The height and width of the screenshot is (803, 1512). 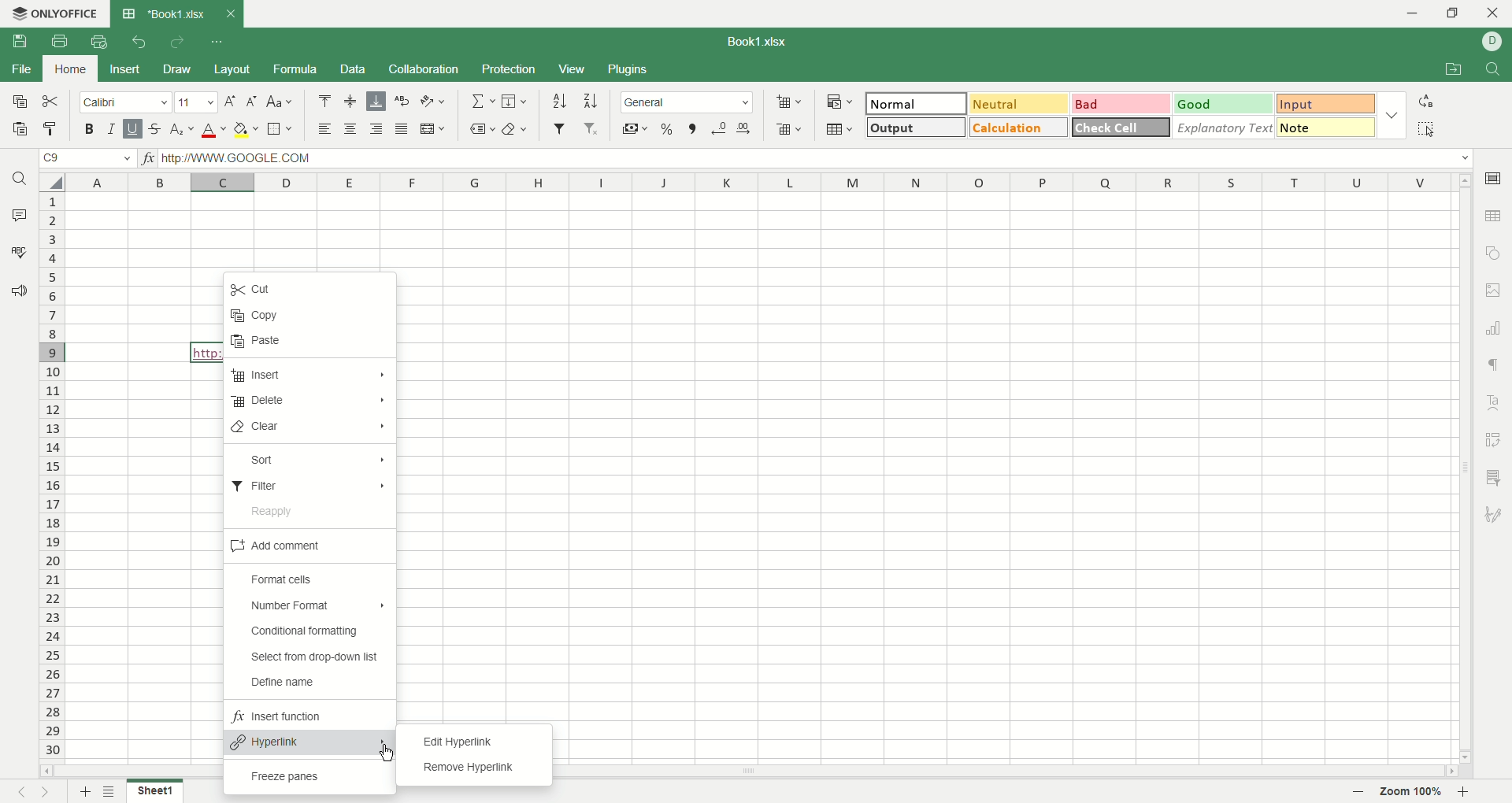 I want to click on cell position, so click(x=91, y=160).